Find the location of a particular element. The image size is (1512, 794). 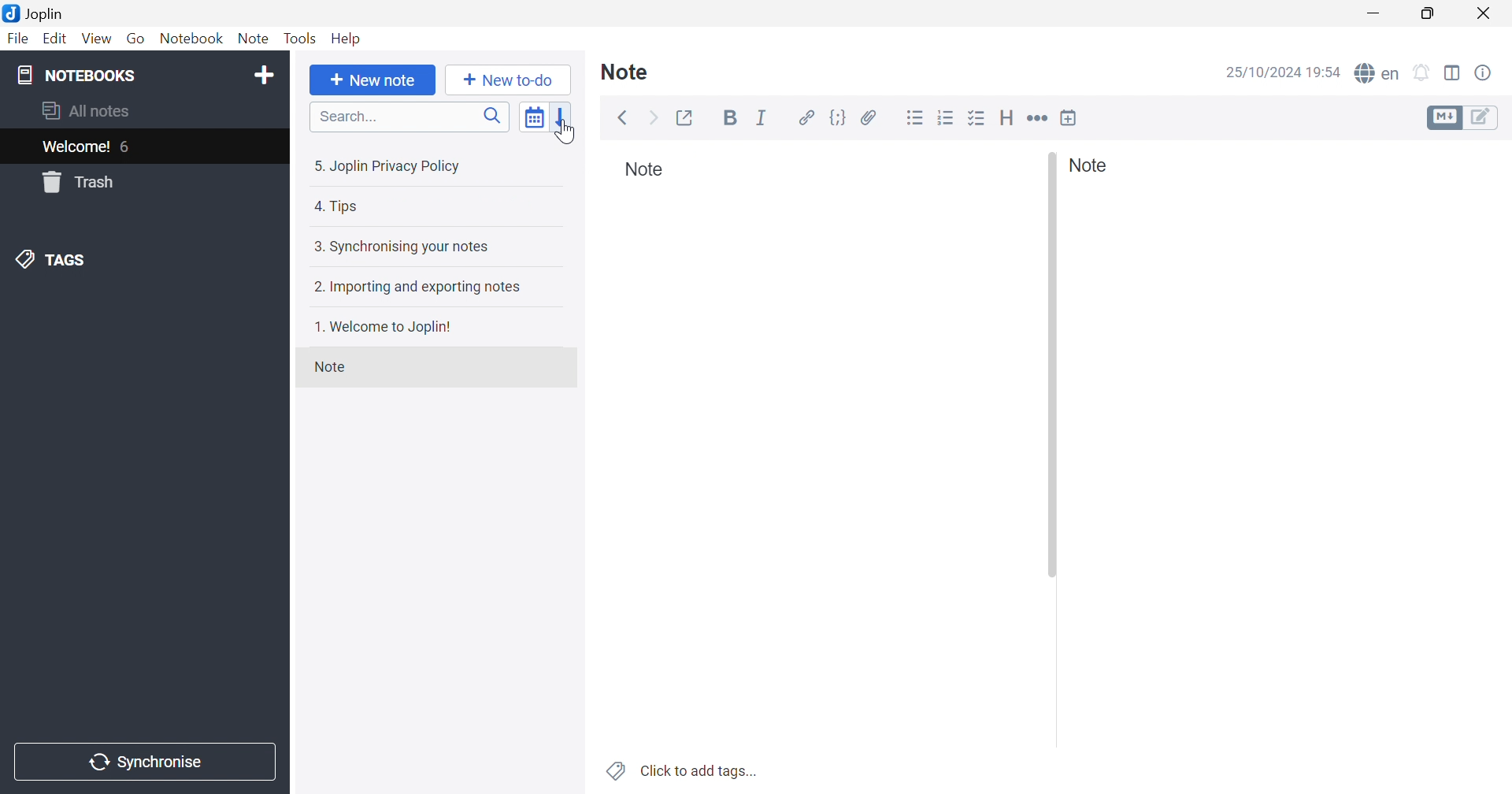

Number is located at coordinates (948, 117).